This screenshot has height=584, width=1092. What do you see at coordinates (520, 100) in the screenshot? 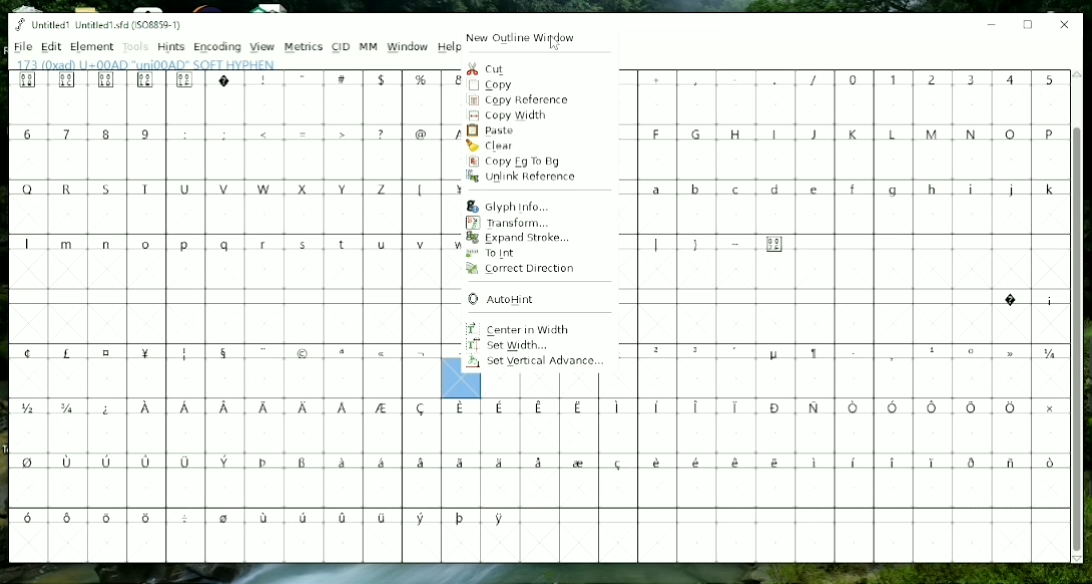
I see `Copy Reference` at bounding box center [520, 100].